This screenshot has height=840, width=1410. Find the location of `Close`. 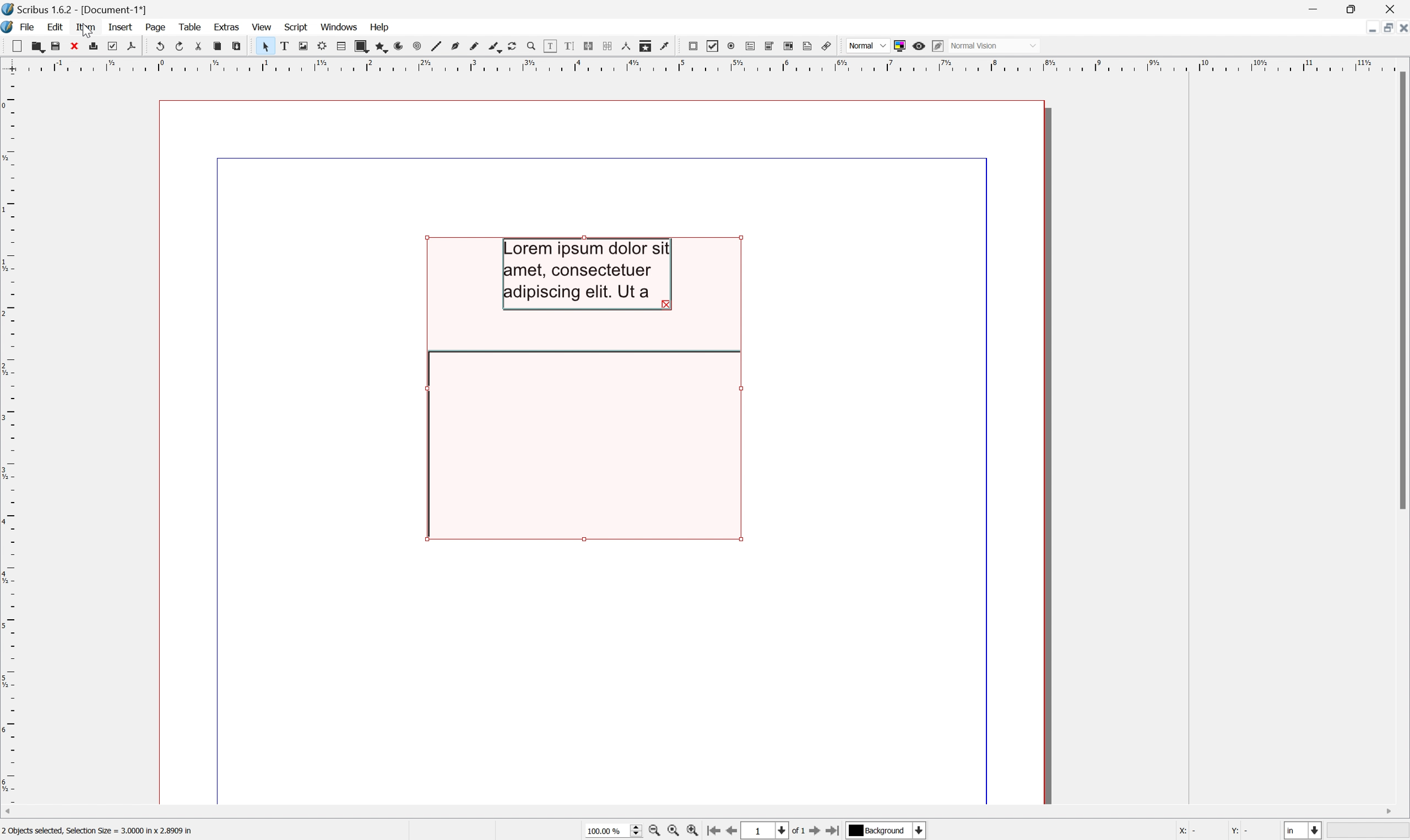

Close is located at coordinates (1392, 8).